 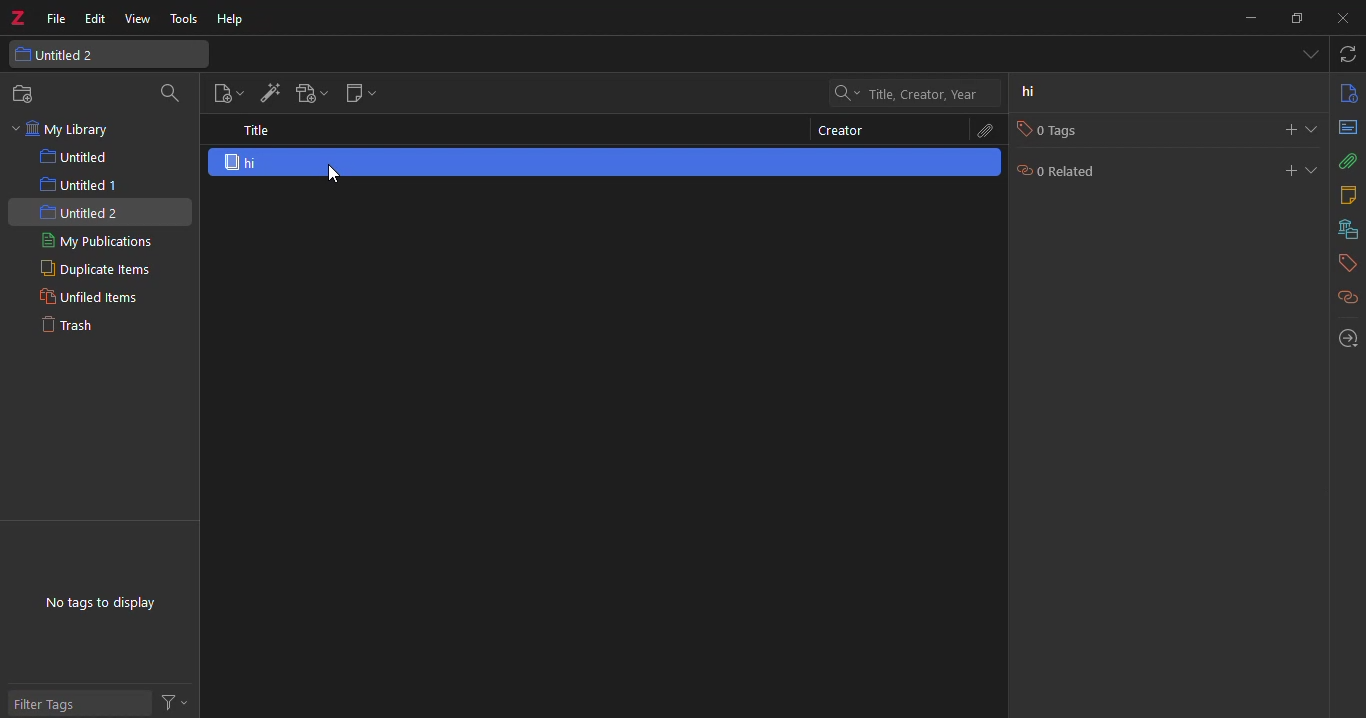 What do you see at coordinates (255, 130) in the screenshot?
I see `title` at bounding box center [255, 130].